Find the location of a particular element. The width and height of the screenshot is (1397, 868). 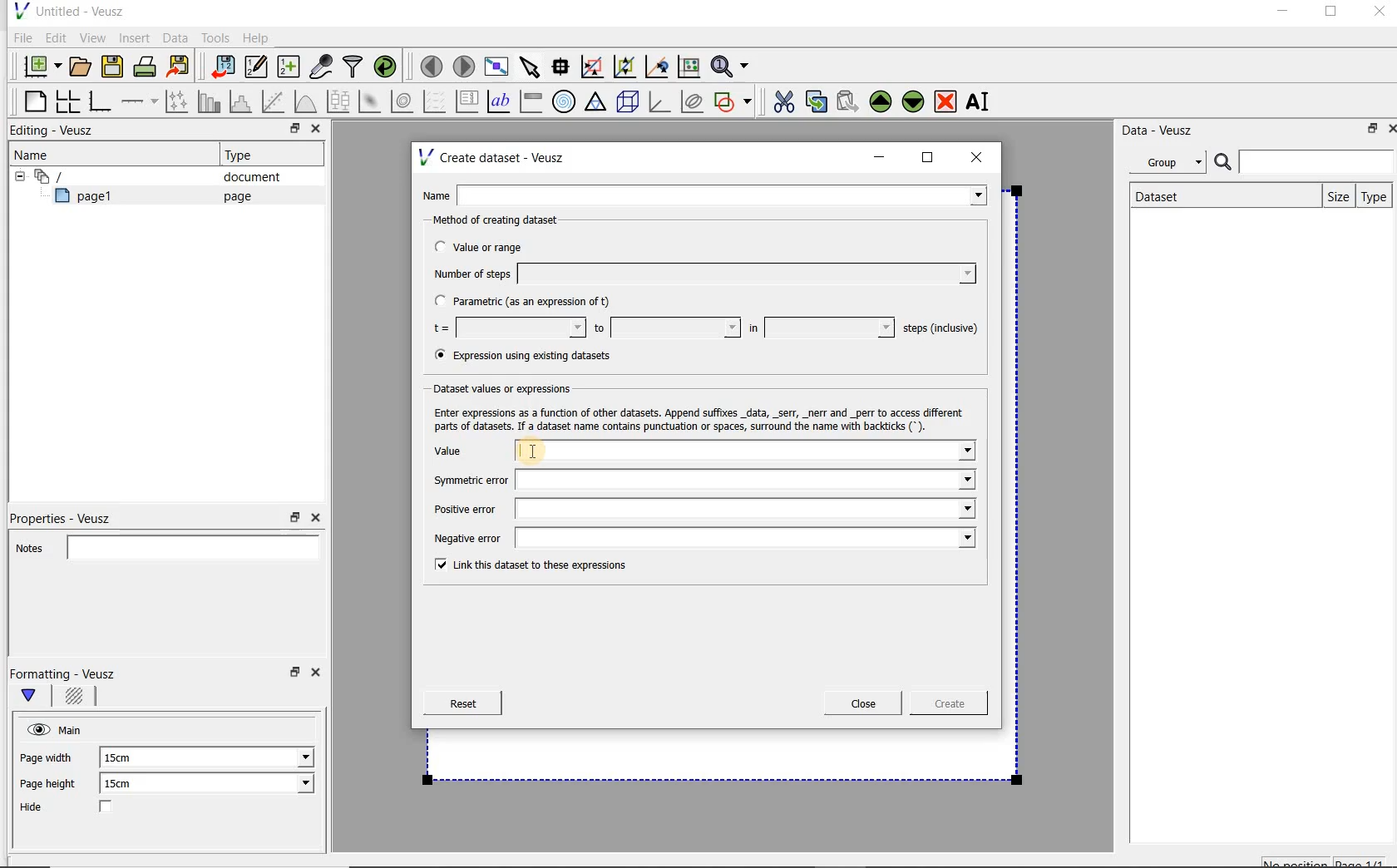

base graph is located at coordinates (99, 102).